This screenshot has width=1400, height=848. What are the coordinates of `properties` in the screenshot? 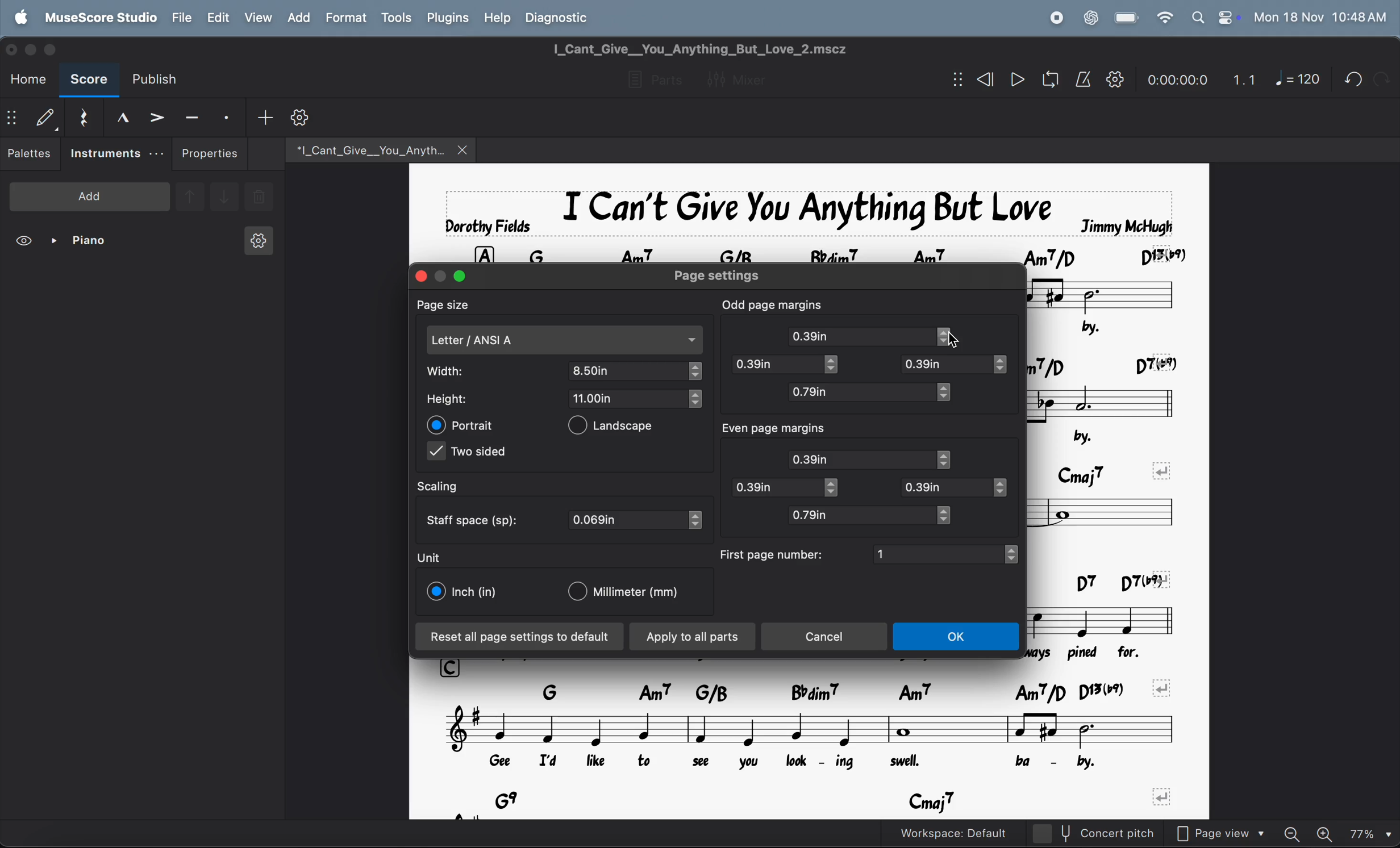 It's located at (210, 153).